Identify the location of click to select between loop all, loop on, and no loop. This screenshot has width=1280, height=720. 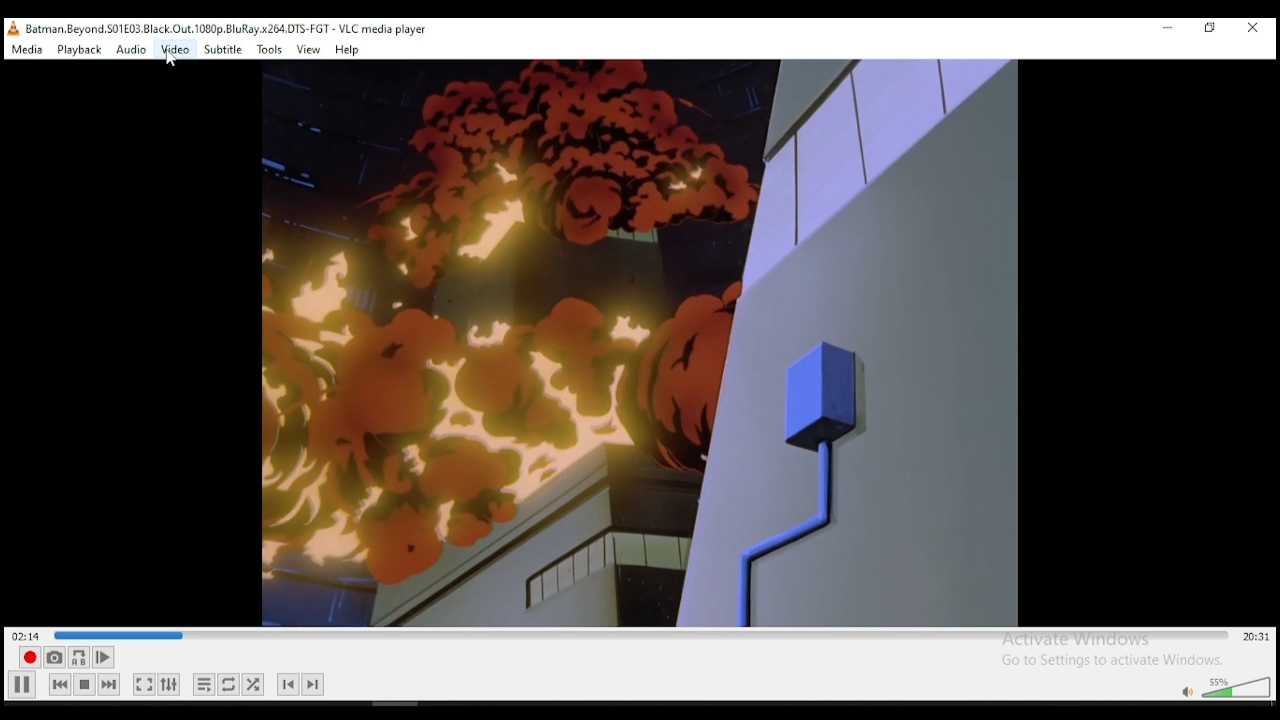
(230, 684).